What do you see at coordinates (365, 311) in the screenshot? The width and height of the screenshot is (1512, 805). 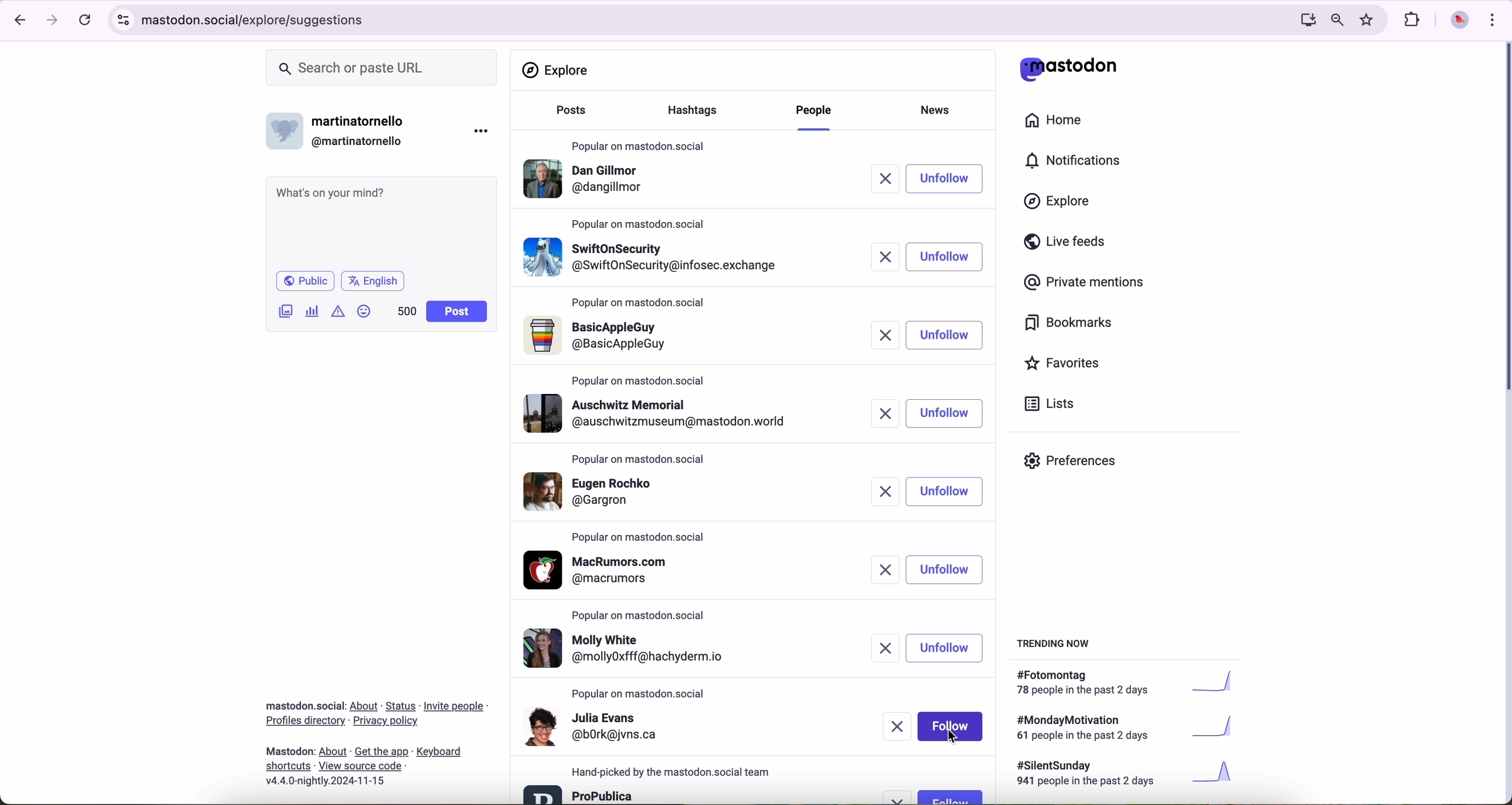 I see `emoji` at bounding box center [365, 311].